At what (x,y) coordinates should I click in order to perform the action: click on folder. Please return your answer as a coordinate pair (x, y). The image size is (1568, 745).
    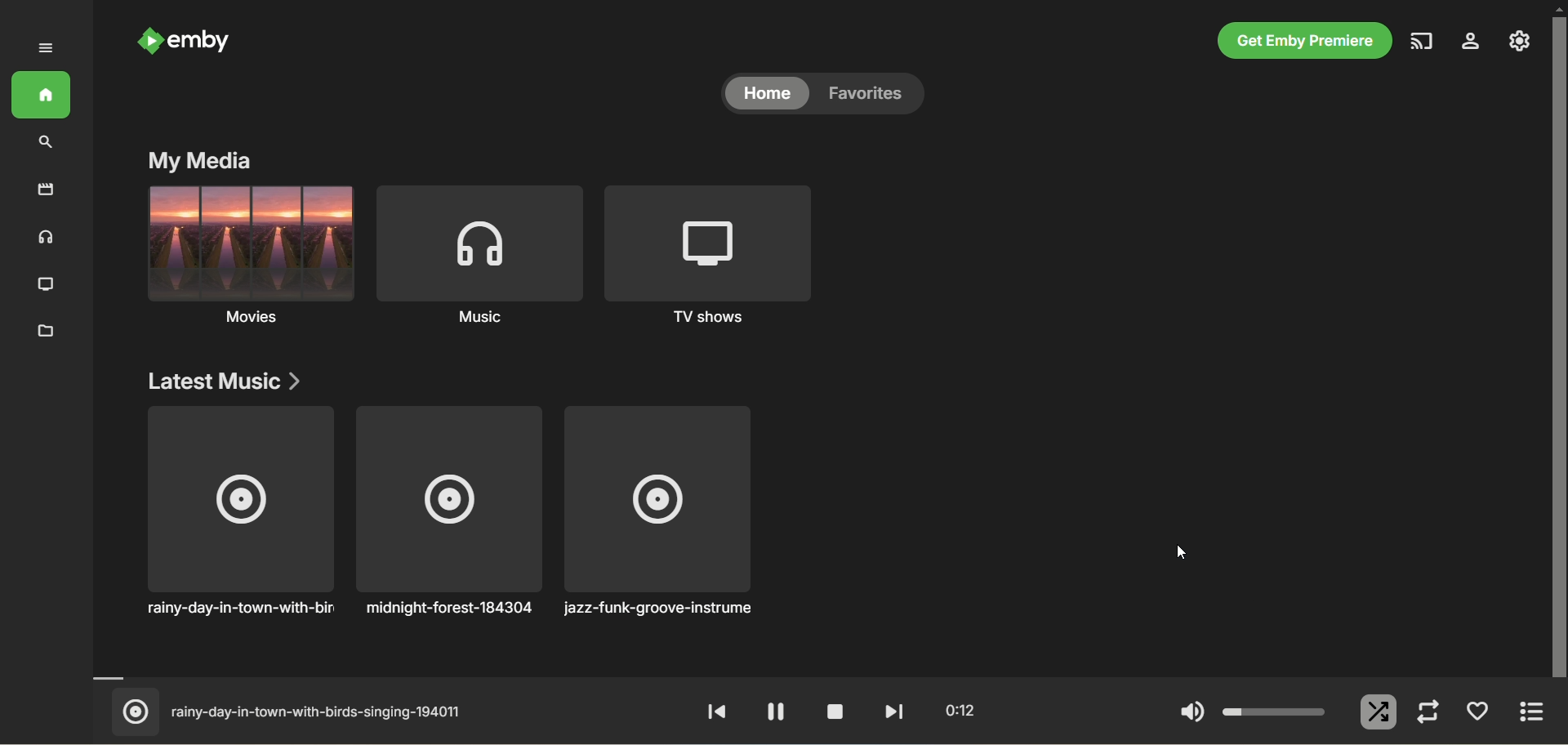
    Looking at the image, I should click on (46, 329).